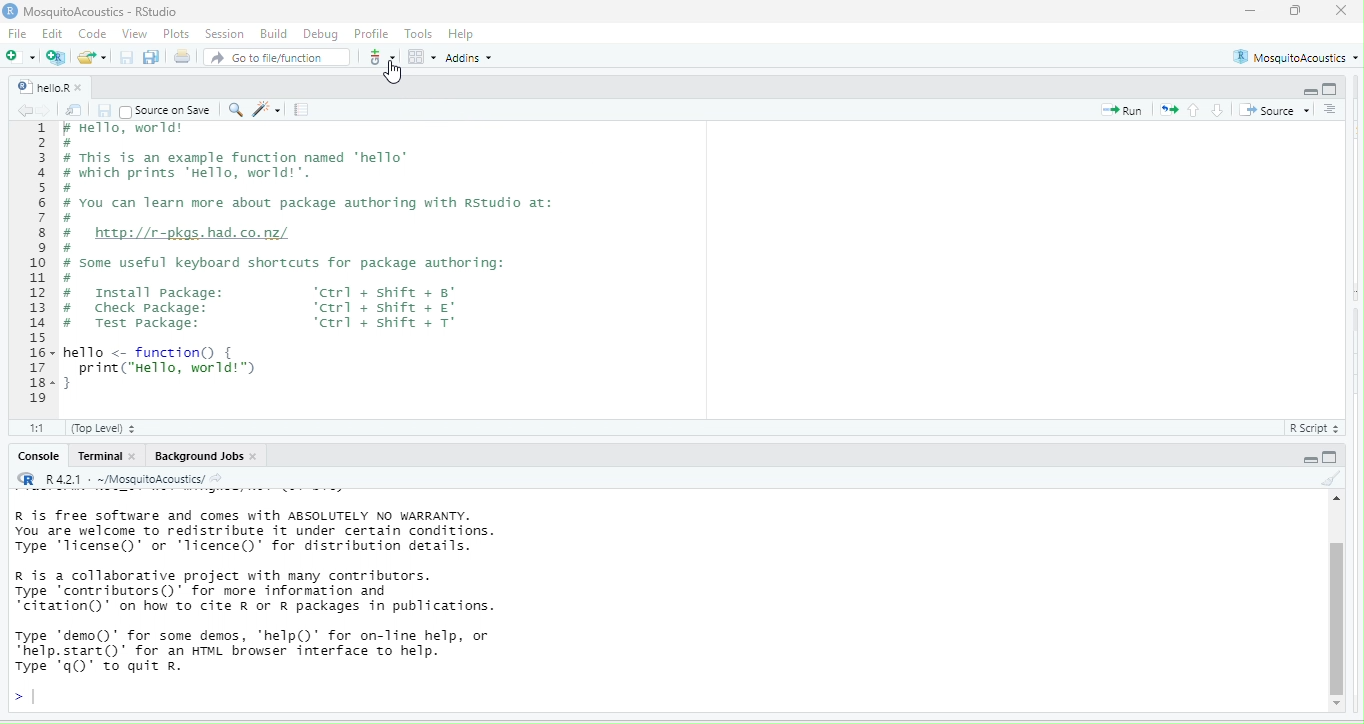  What do you see at coordinates (1308, 90) in the screenshot?
I see `hide r script` at bounding box center [1308, 90].